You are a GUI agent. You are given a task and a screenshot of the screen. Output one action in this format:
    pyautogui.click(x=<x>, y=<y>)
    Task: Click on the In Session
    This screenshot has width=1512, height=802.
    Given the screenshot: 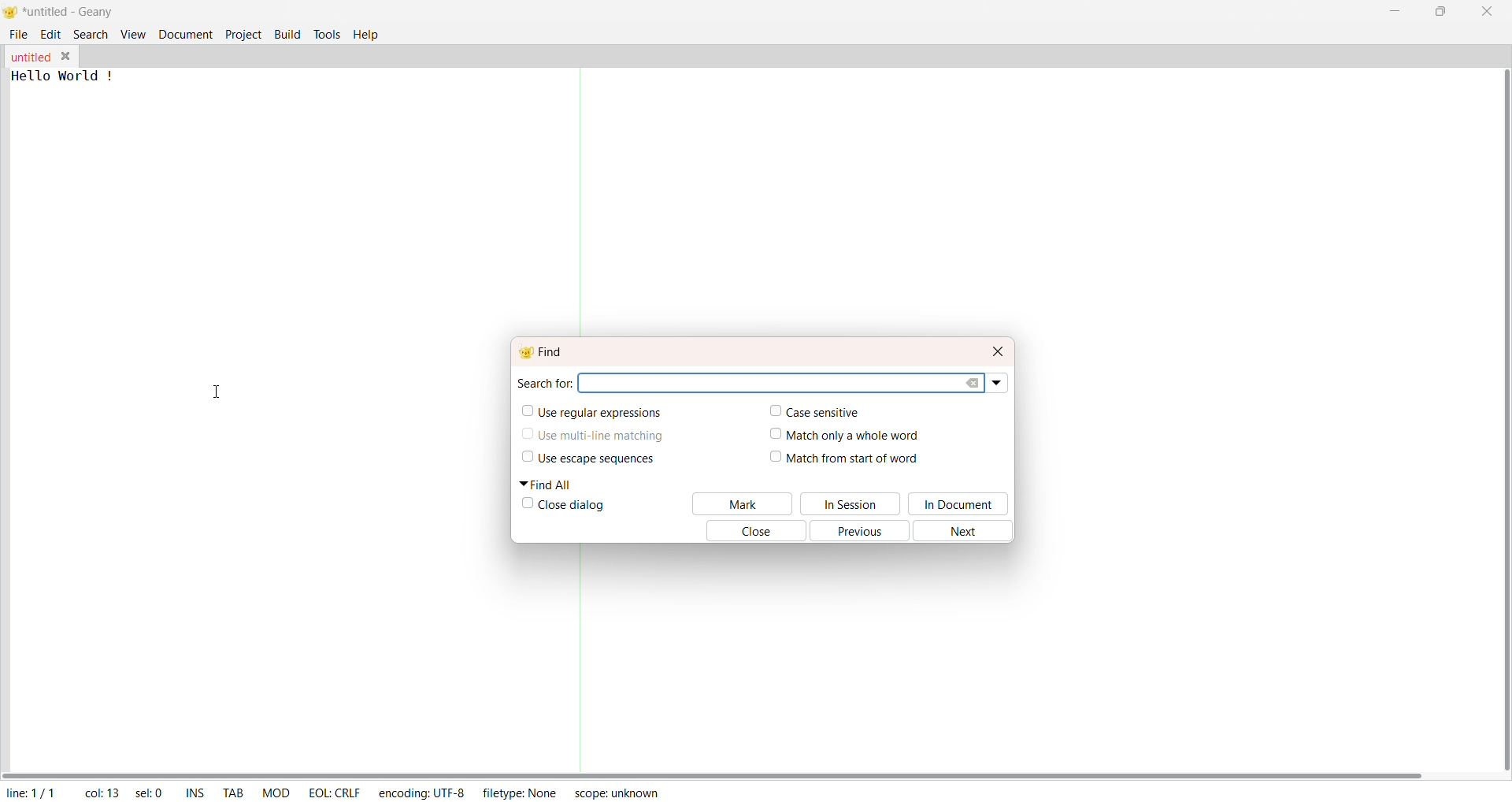 What is the action you would take?
    pyautogui.click(x=852, y=503)
    